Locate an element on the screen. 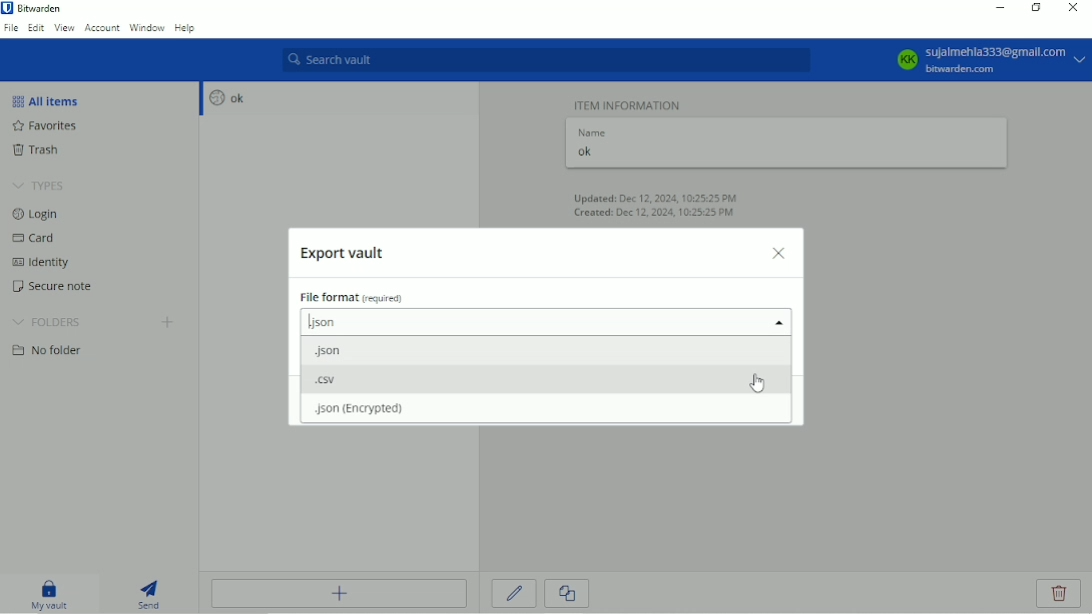  .json is located at coordinates (331, 351).